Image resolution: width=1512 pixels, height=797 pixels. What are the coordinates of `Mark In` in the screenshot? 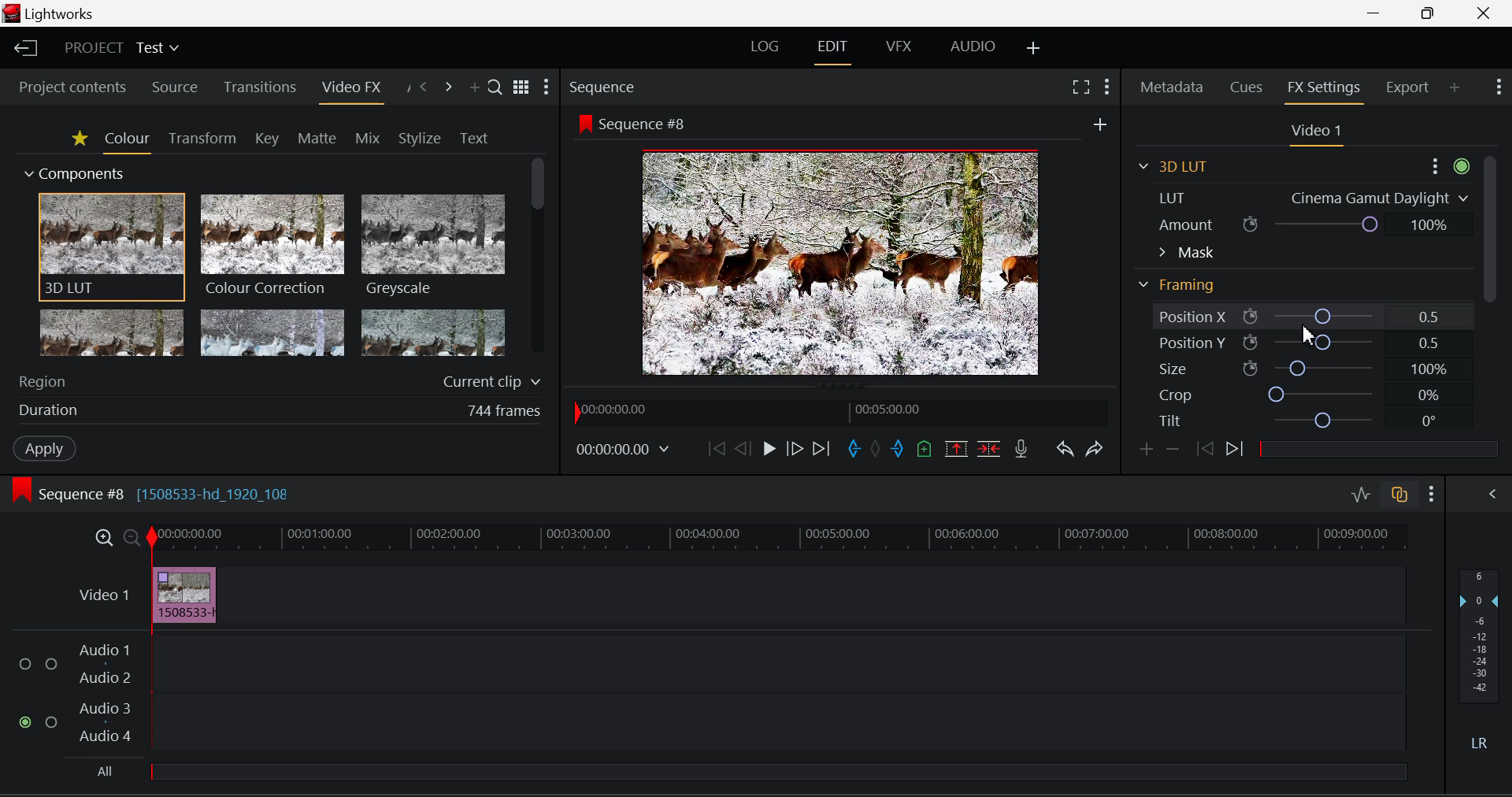 It's located at (854, 450).